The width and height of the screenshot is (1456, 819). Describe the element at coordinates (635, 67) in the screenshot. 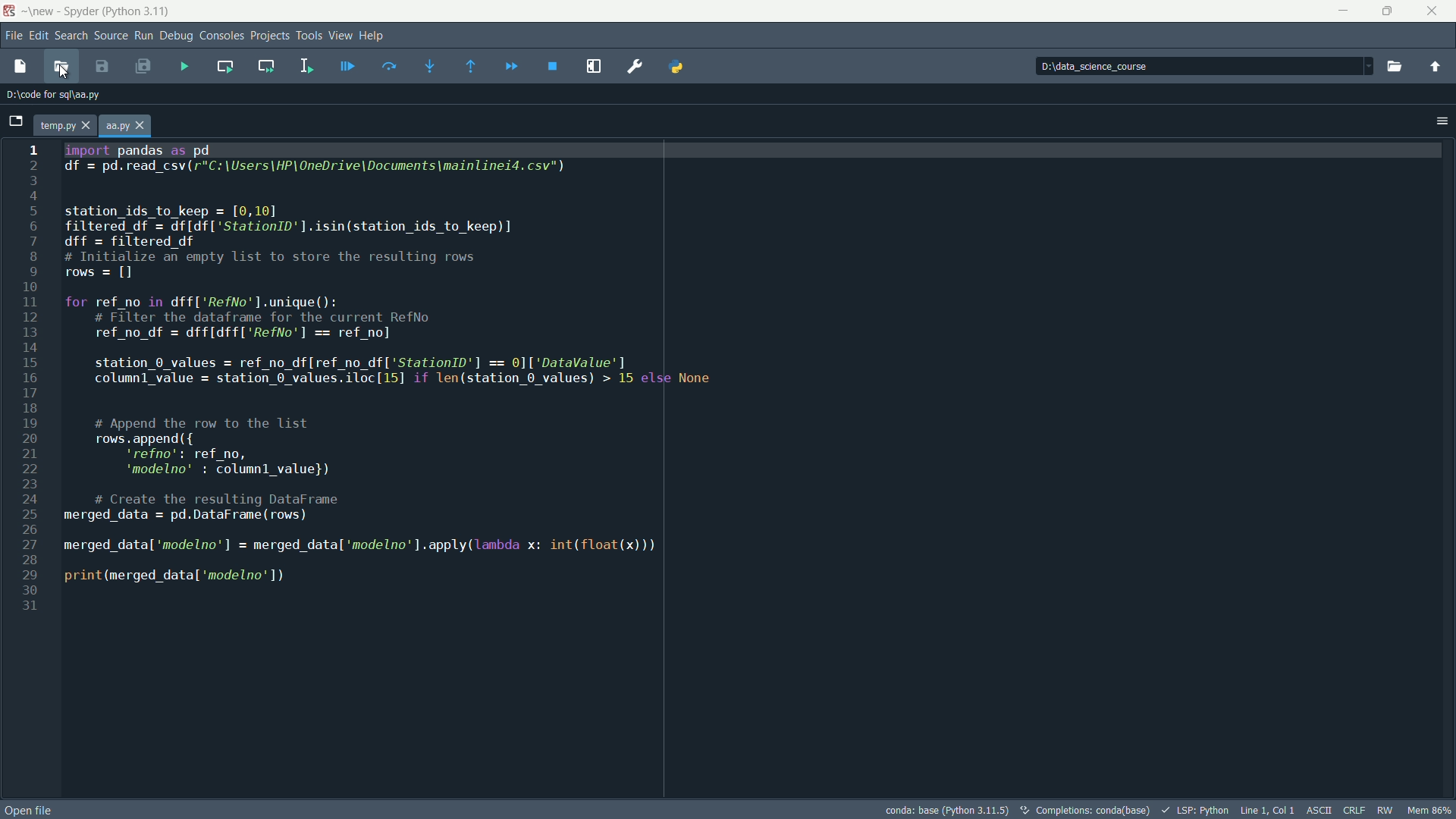

I see `Preferences` at that location.